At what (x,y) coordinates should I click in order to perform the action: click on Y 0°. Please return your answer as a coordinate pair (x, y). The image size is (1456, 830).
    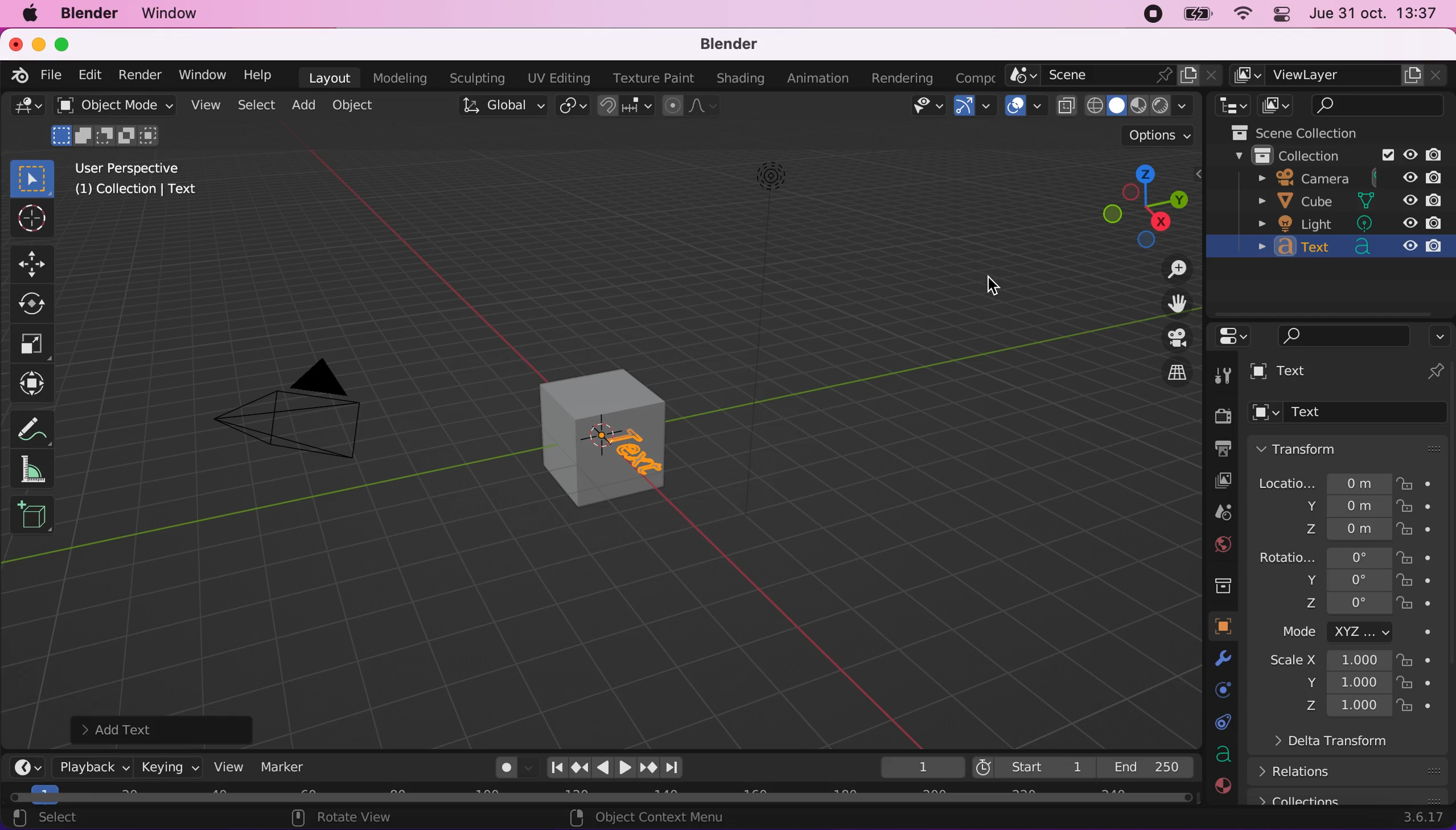
    Looking at the image, I should click on (1342, 580).